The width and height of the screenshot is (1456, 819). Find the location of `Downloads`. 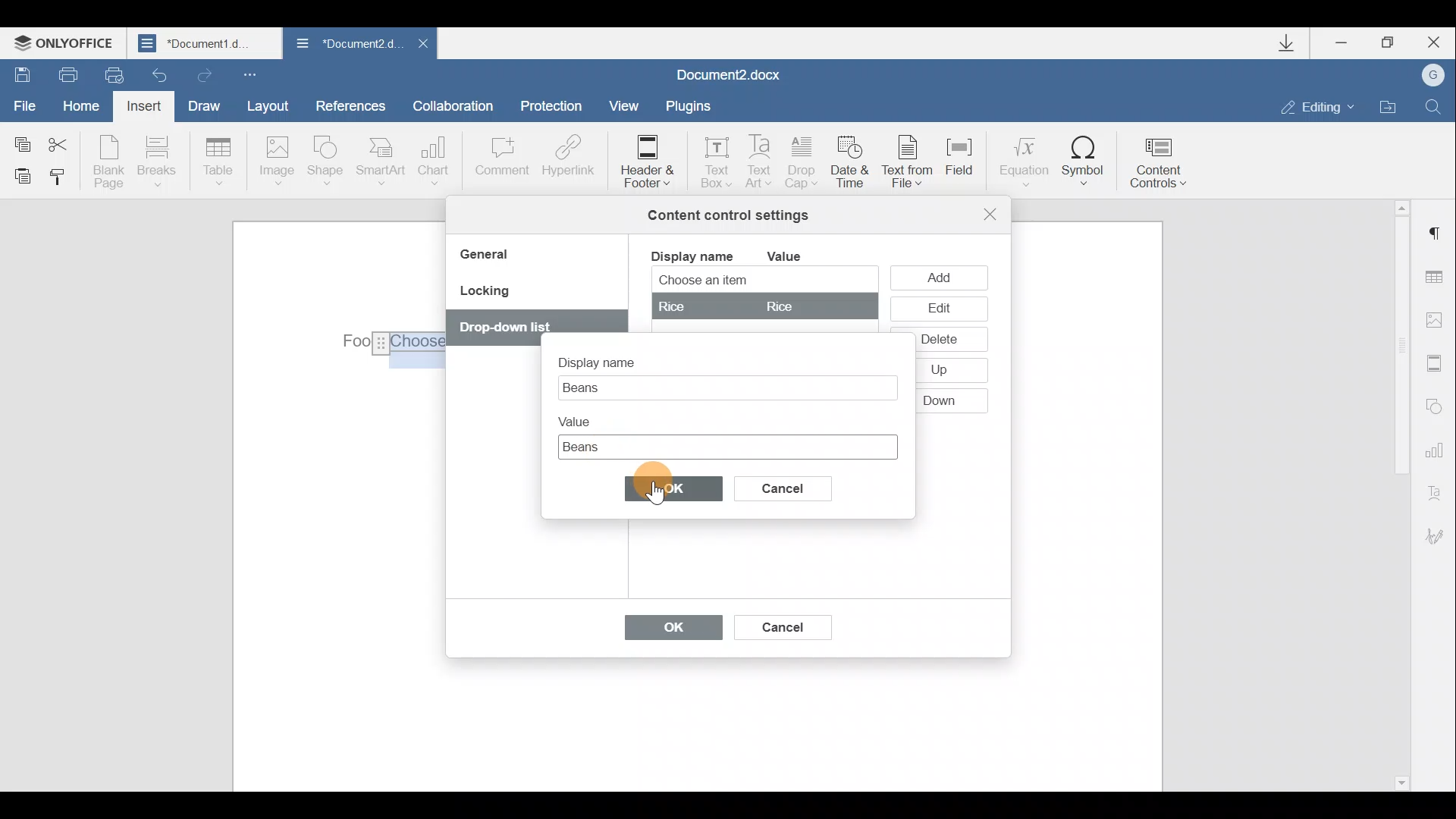

Downloads is located at coordinates (1292, 43).